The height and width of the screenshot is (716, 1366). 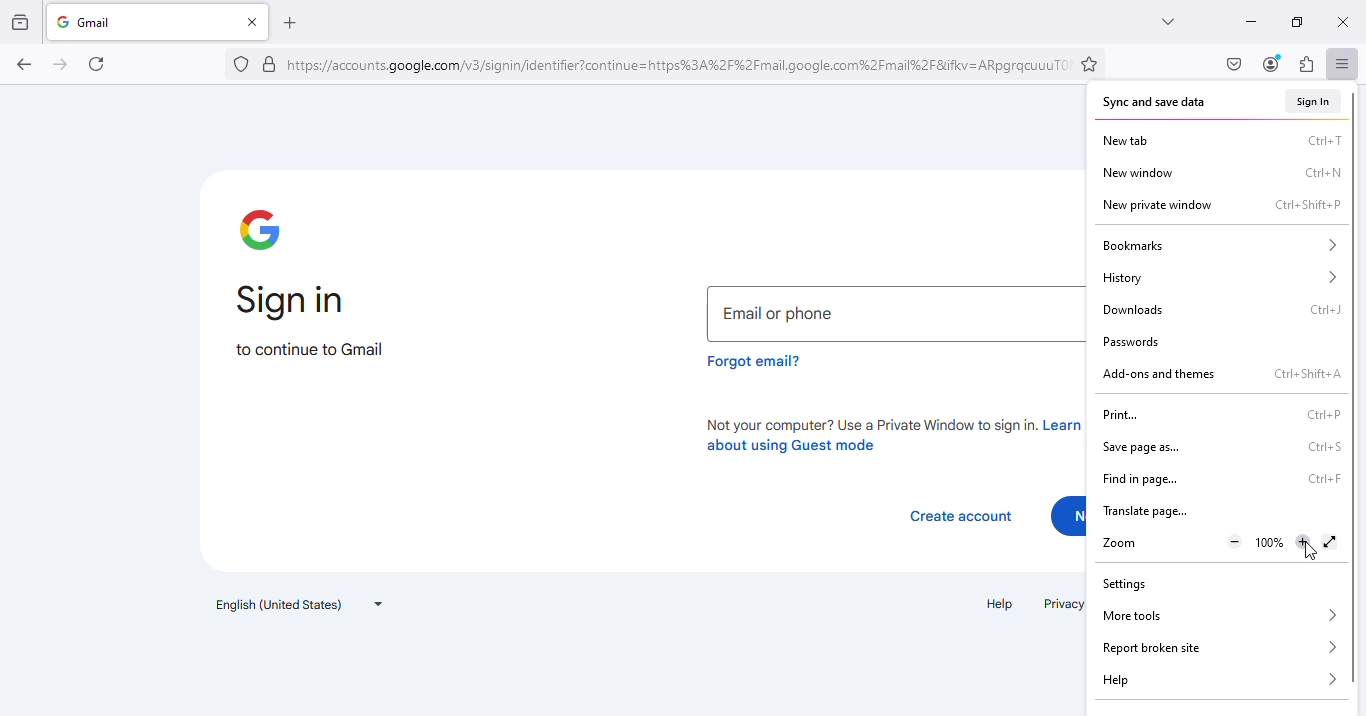 I want to click on translate page..., so click(x=1145, y=511).